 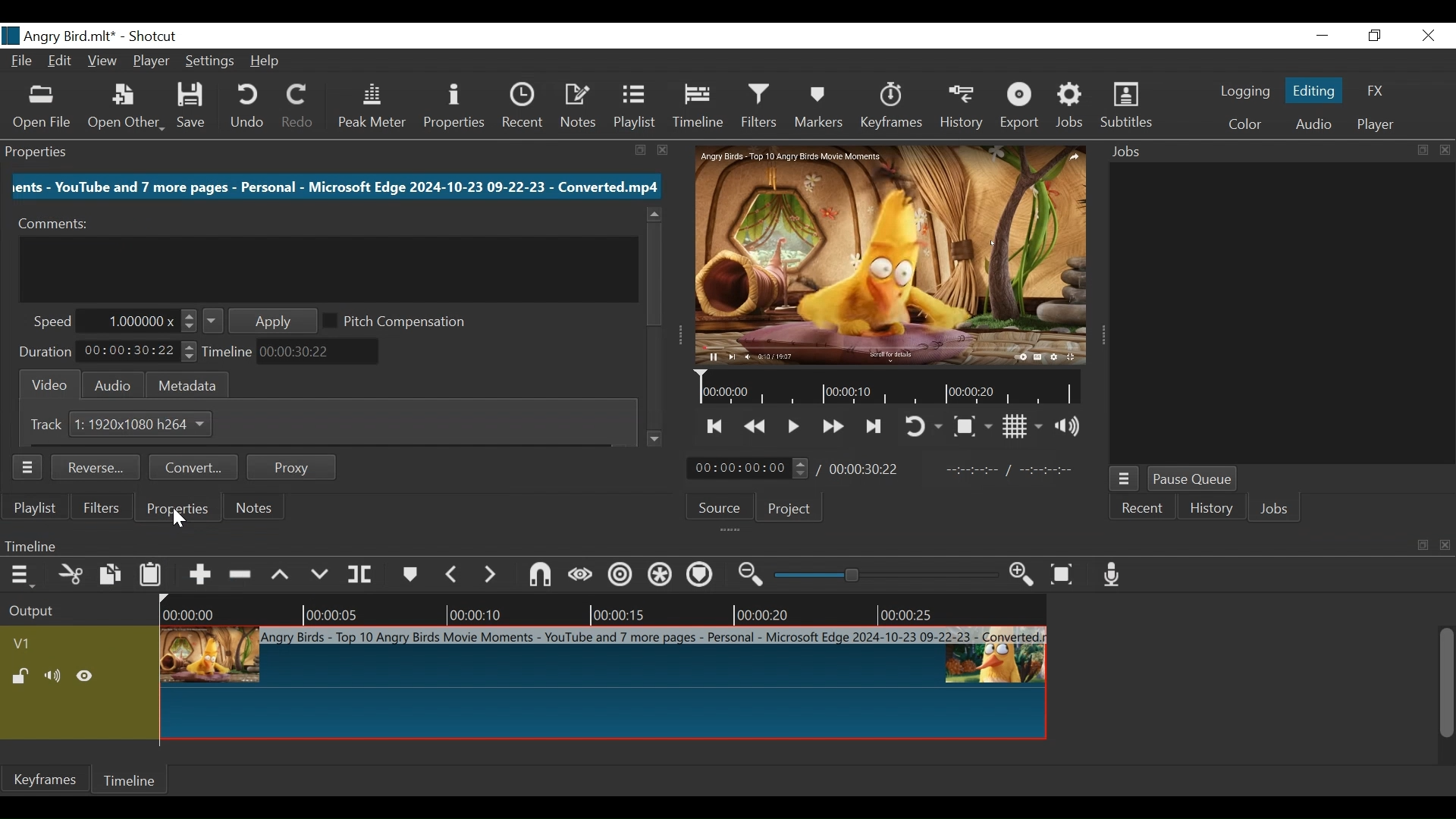 What do you see at coordinates (152, 61) in the screenshot?
I see `Player` at bounding box center [152, 61].